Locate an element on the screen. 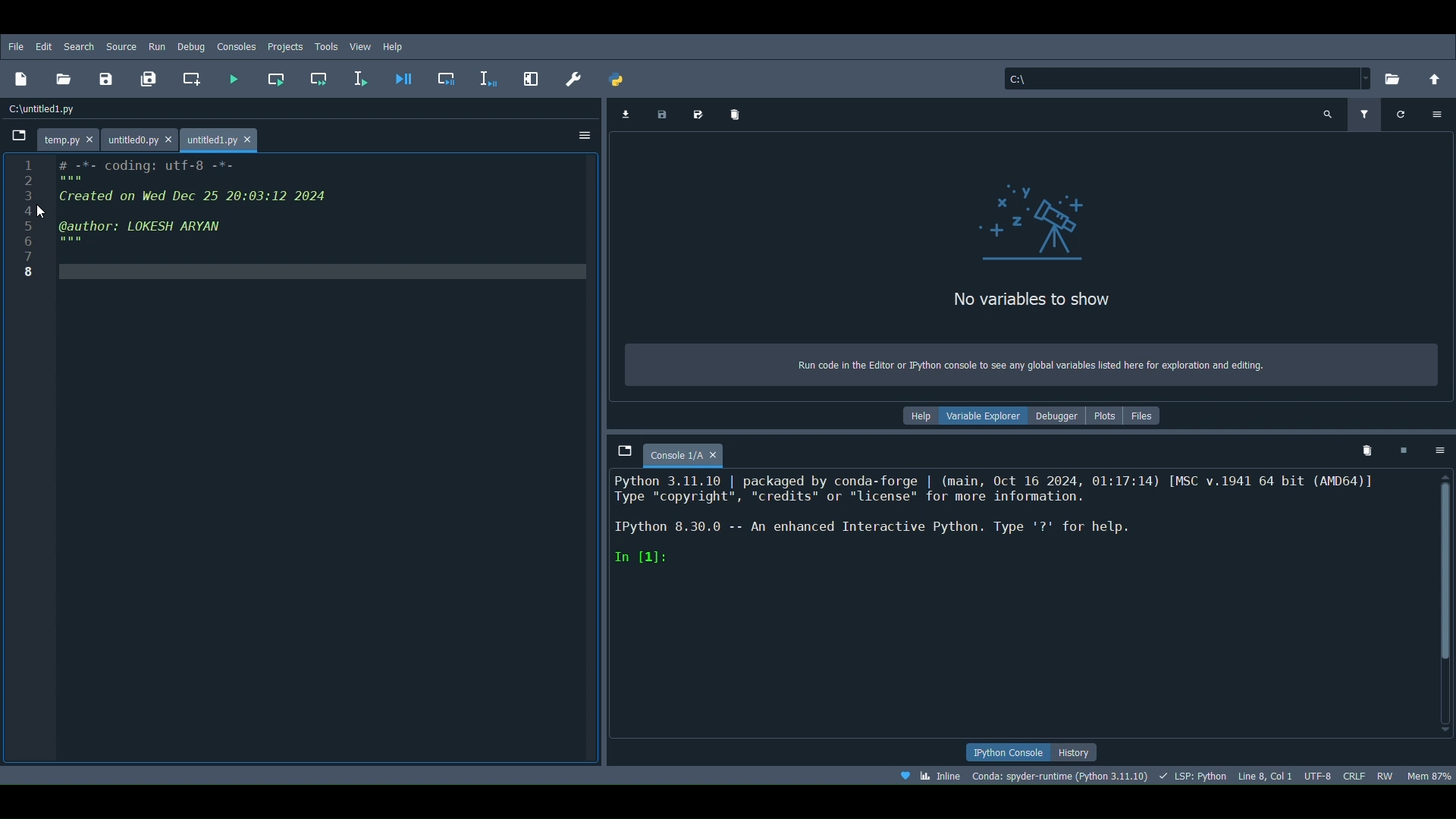 The height and width of the screenshot is (819, 1456). Variable explorer is located at coordinates (987, 413).